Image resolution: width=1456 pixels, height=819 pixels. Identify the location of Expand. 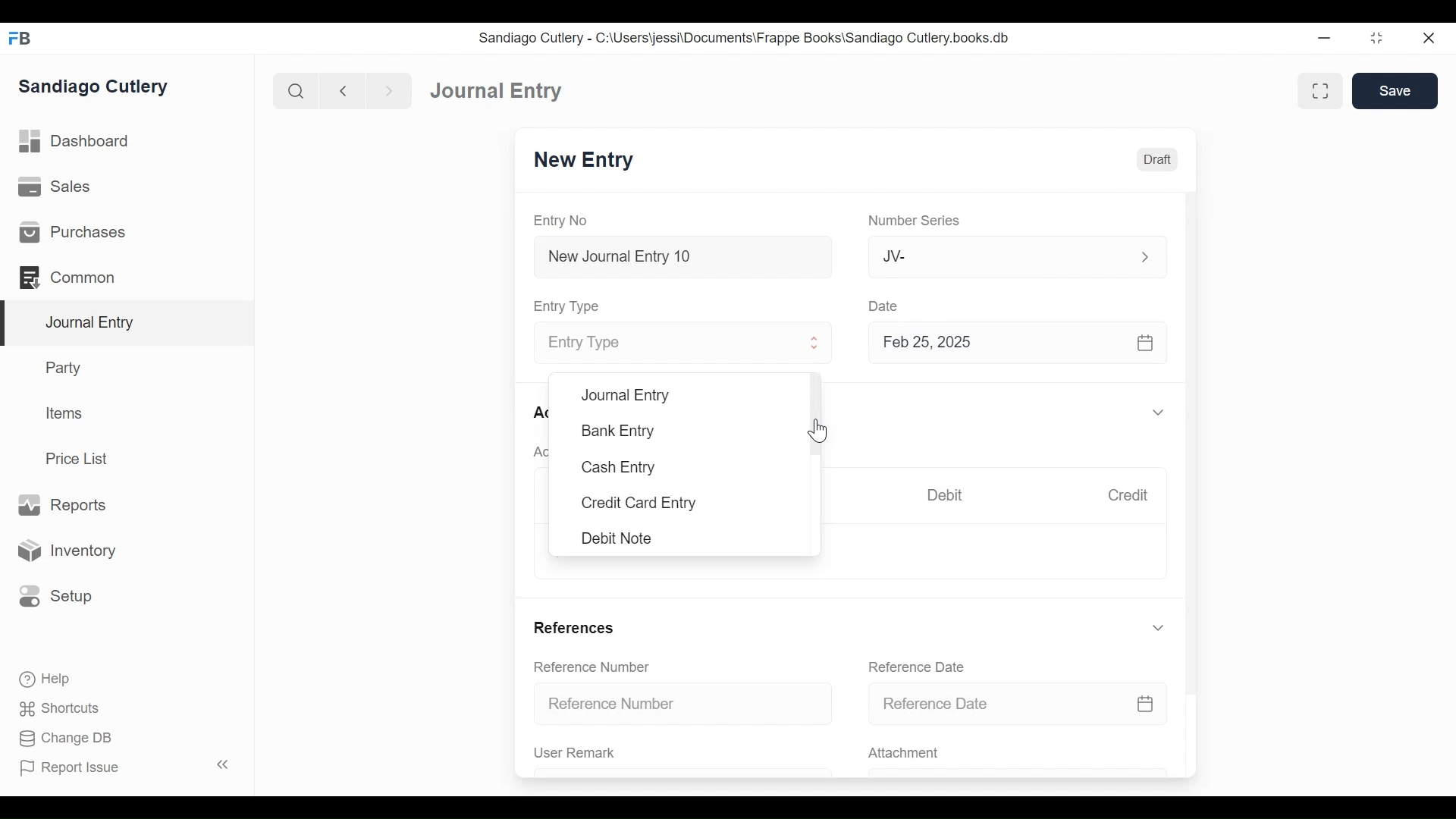
(1158, 628).